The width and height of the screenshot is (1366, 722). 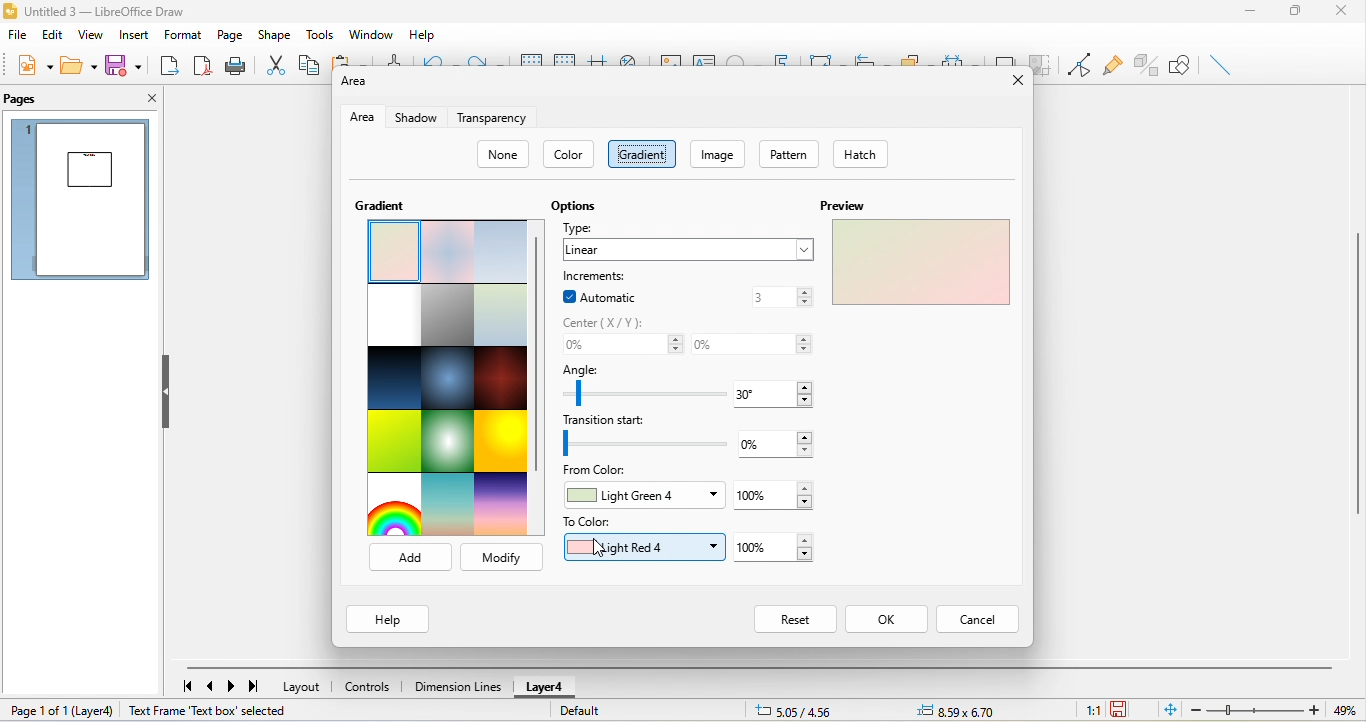 I want to click on last page, so click(x=259, y=689).